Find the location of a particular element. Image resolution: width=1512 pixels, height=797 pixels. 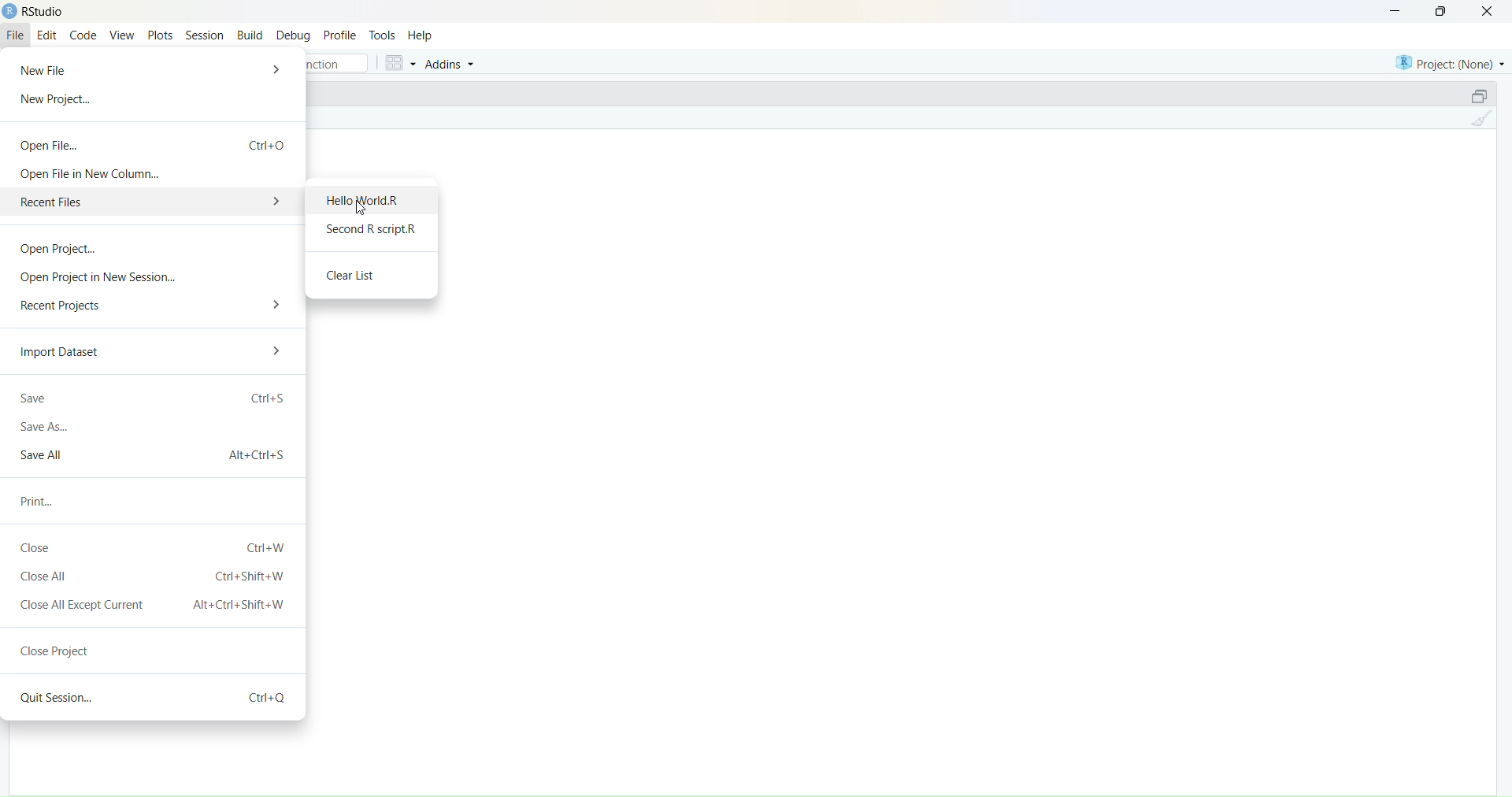

Print... is located at coordinates (41, 502).